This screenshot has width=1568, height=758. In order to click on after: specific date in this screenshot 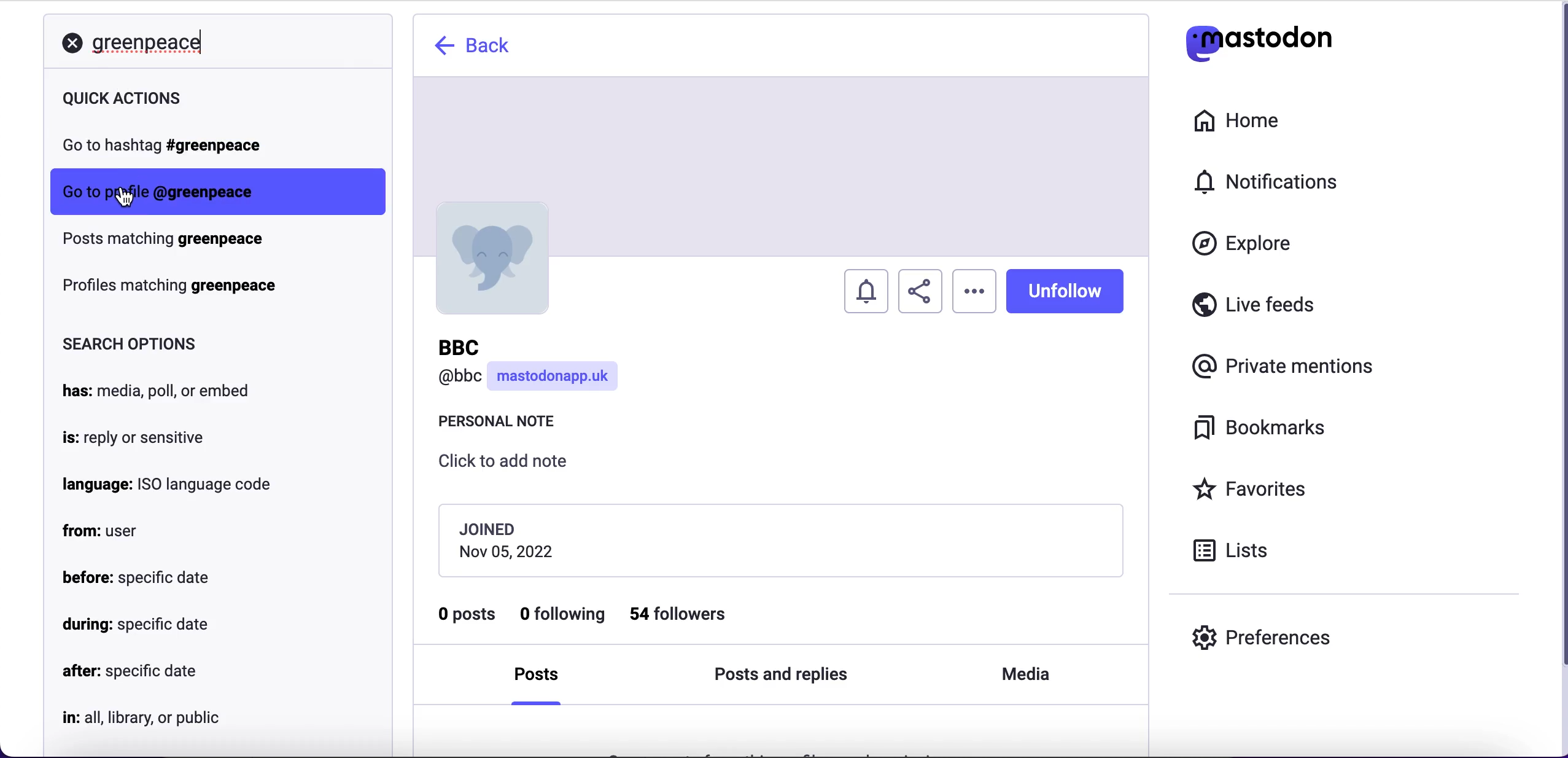, I will do `click(130, 672)`.